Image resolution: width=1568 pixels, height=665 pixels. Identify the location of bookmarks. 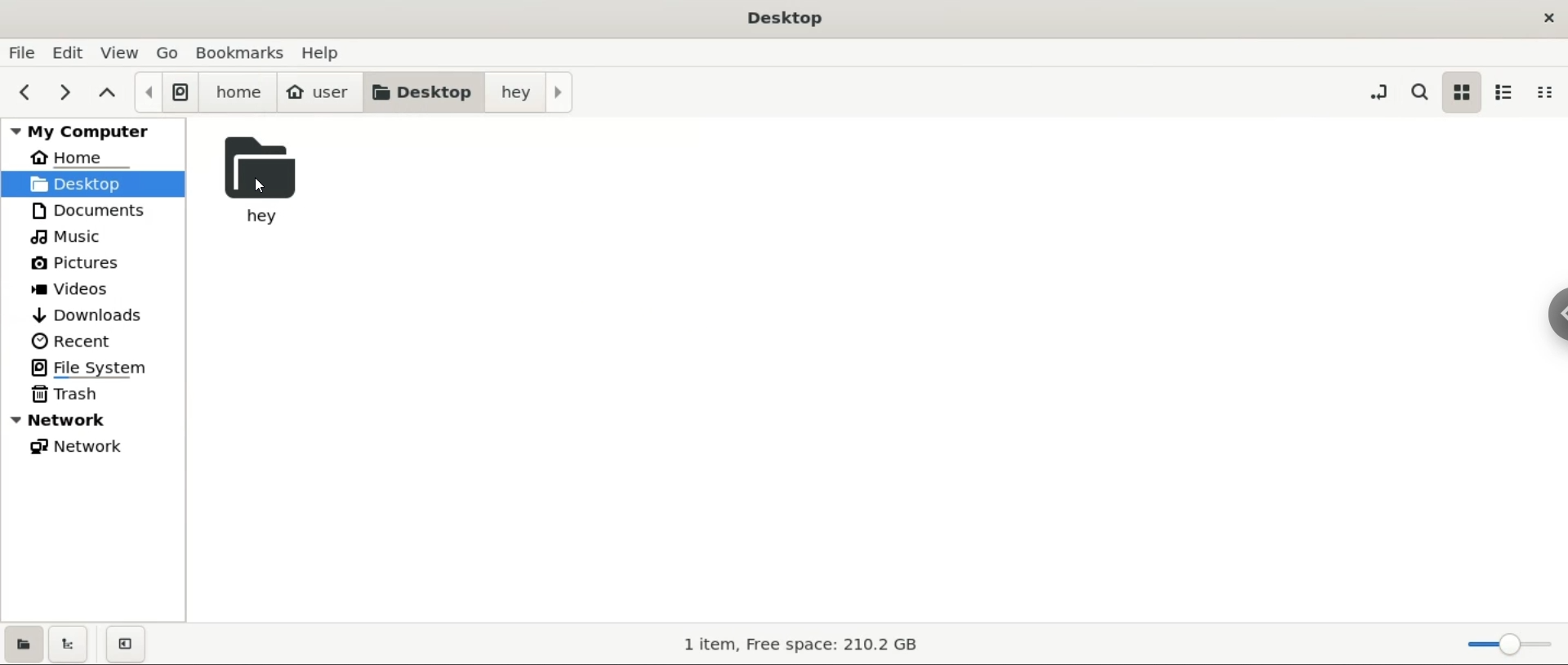
(241, 52).